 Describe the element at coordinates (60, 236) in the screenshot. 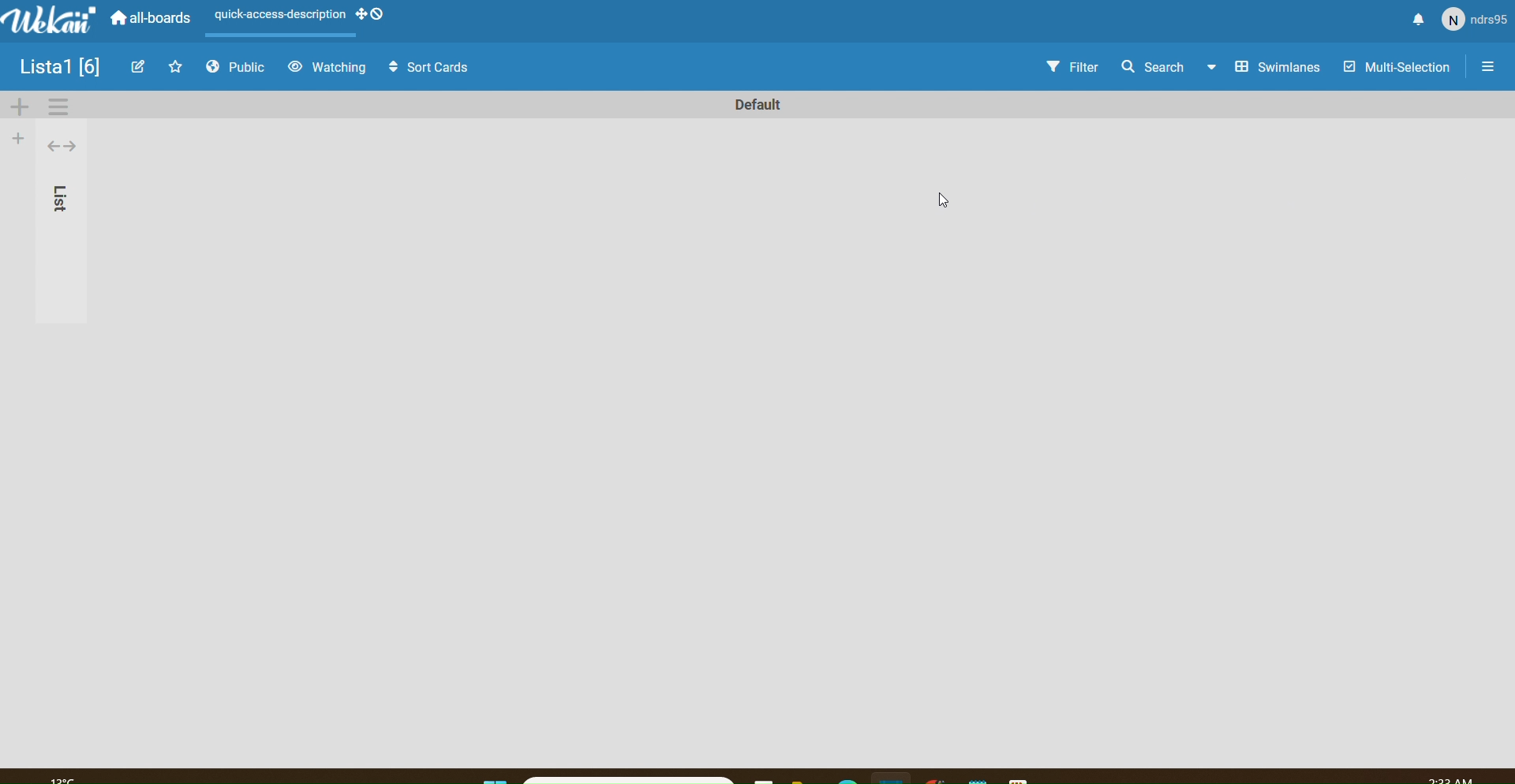

I see `list` at that location.